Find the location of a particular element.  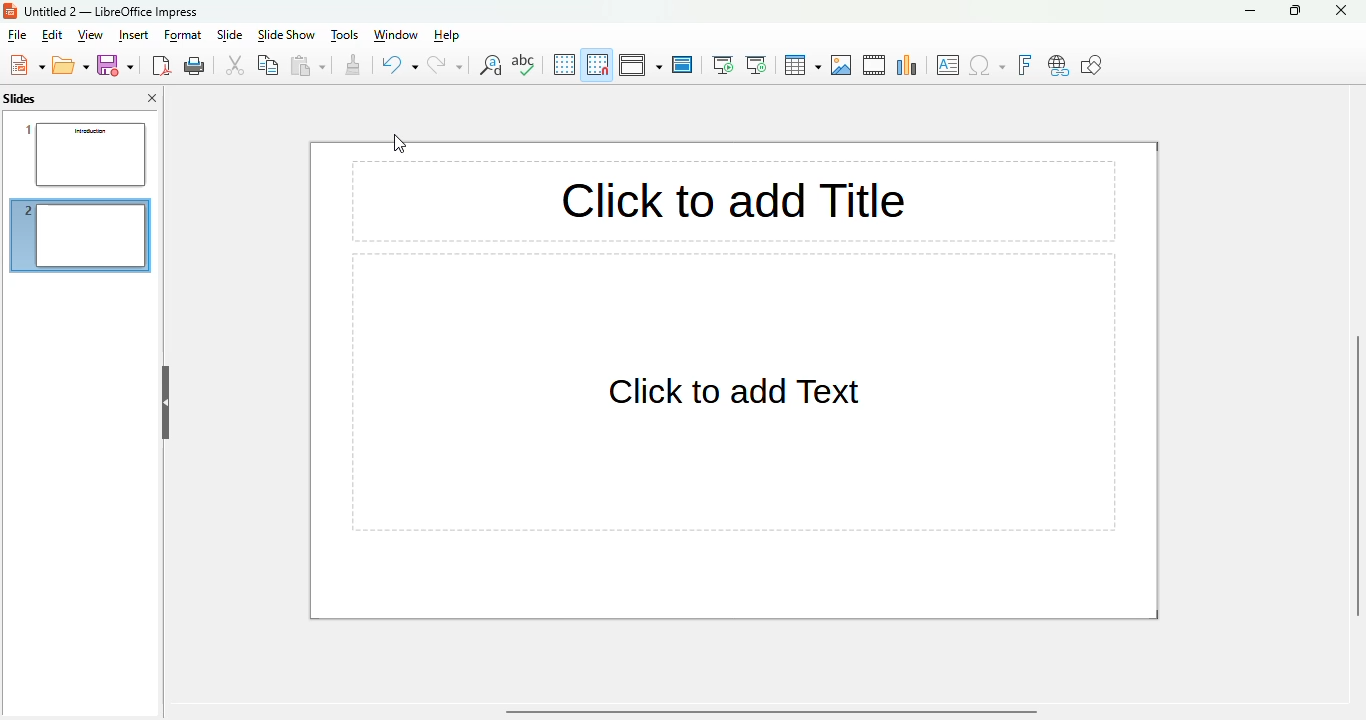

click to add title is located at coordinates (734, 201).